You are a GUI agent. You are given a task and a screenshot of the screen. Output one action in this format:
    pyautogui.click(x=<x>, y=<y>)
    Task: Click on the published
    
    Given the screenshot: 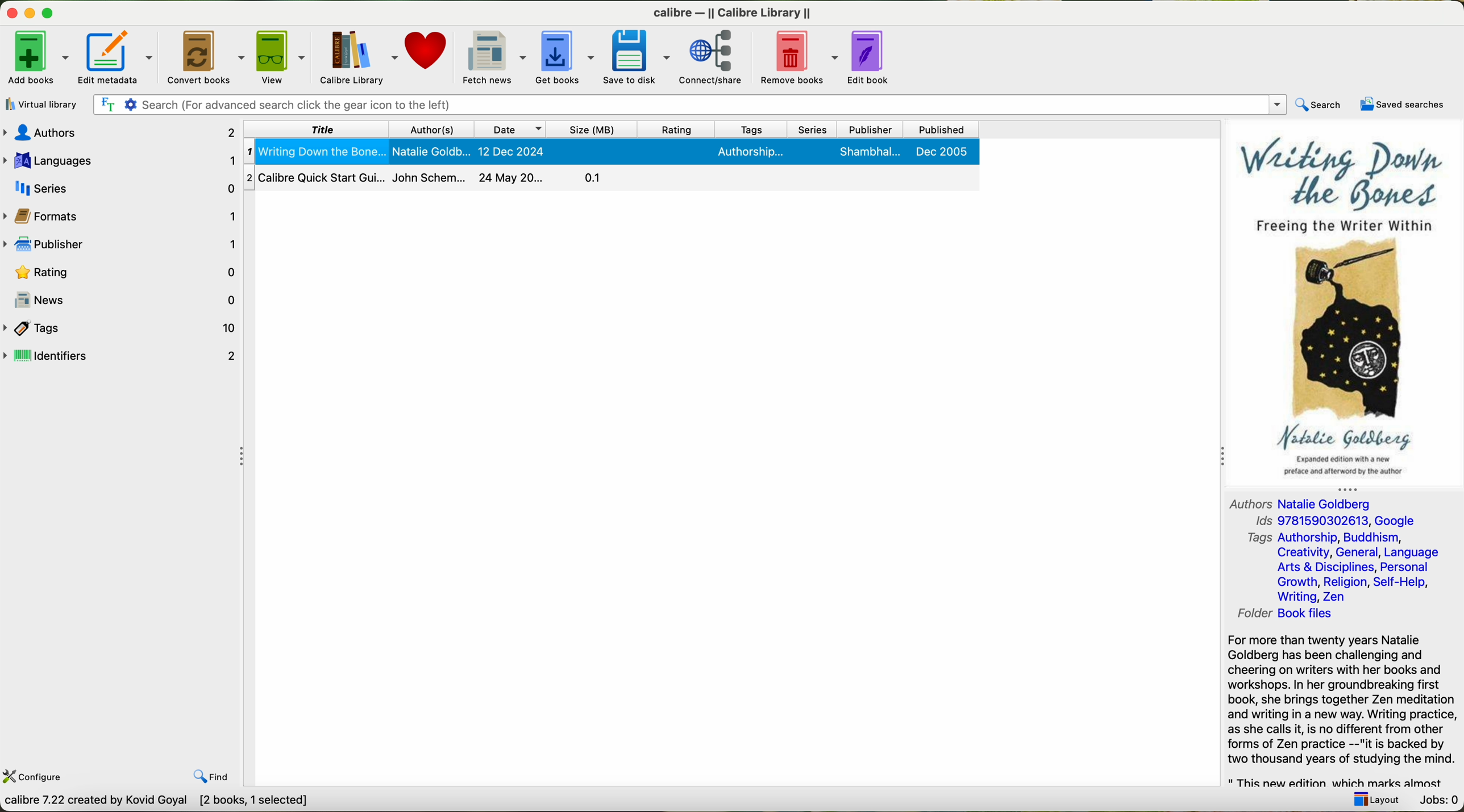 What is the action you would take?
    pyautogui.click(x=942, y=130)
    